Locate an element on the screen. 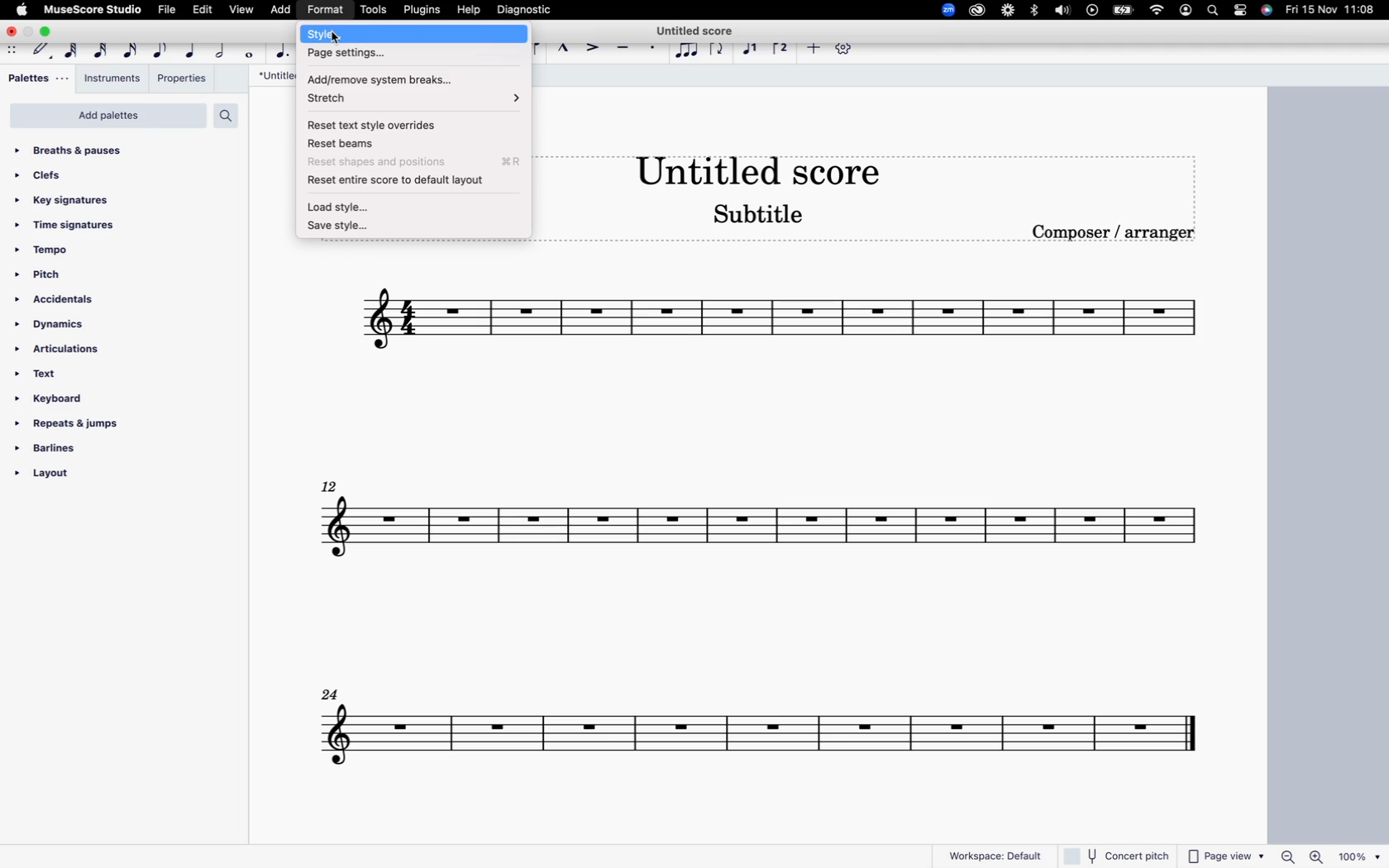 This screenshot has width=1389, height=868. cursor is located at coordinates (338, 40).